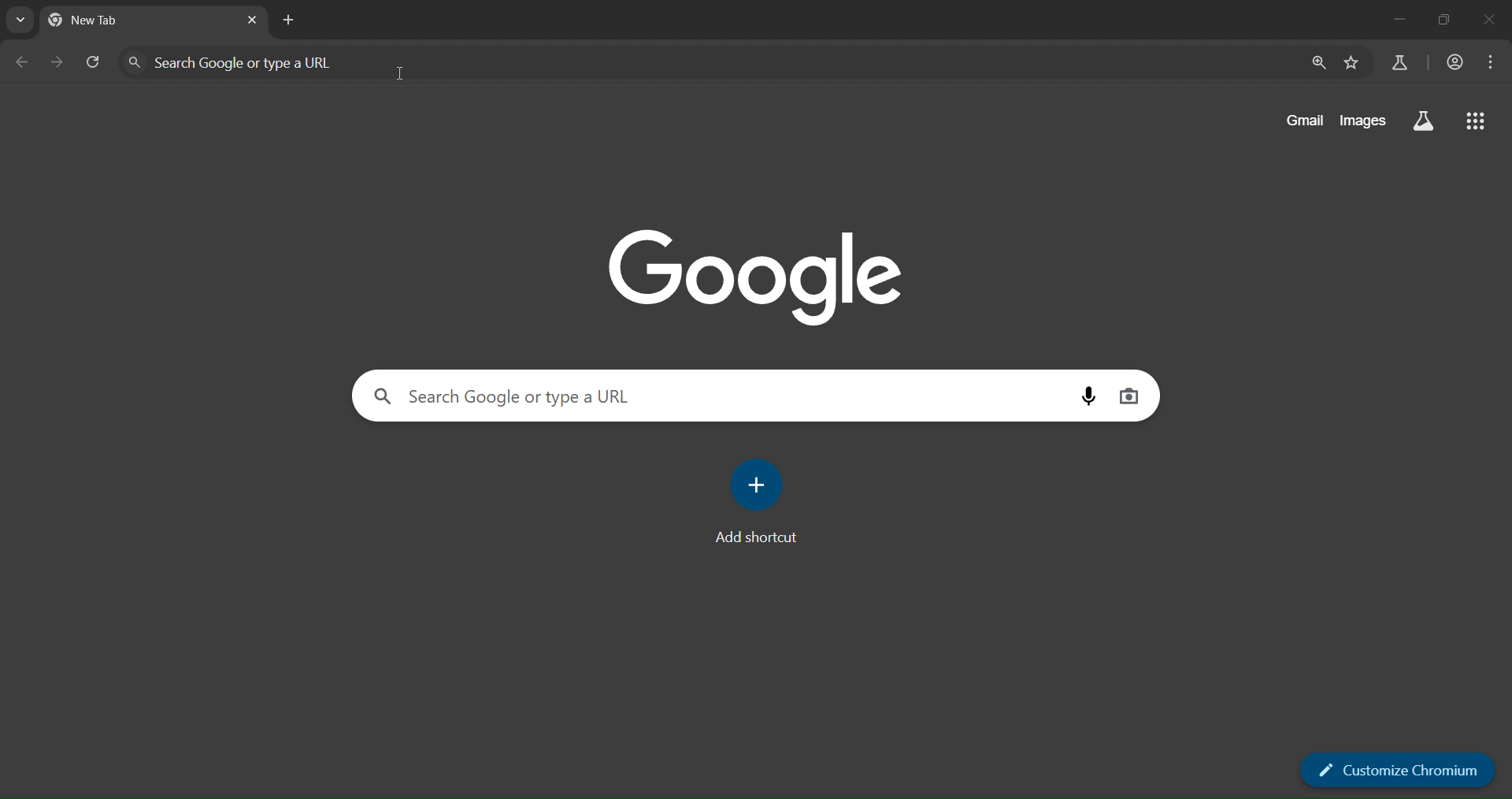  What do you see at coordinates (291, 21) in the screenshot?
I see `new tab` at bounding box center [291, 21].